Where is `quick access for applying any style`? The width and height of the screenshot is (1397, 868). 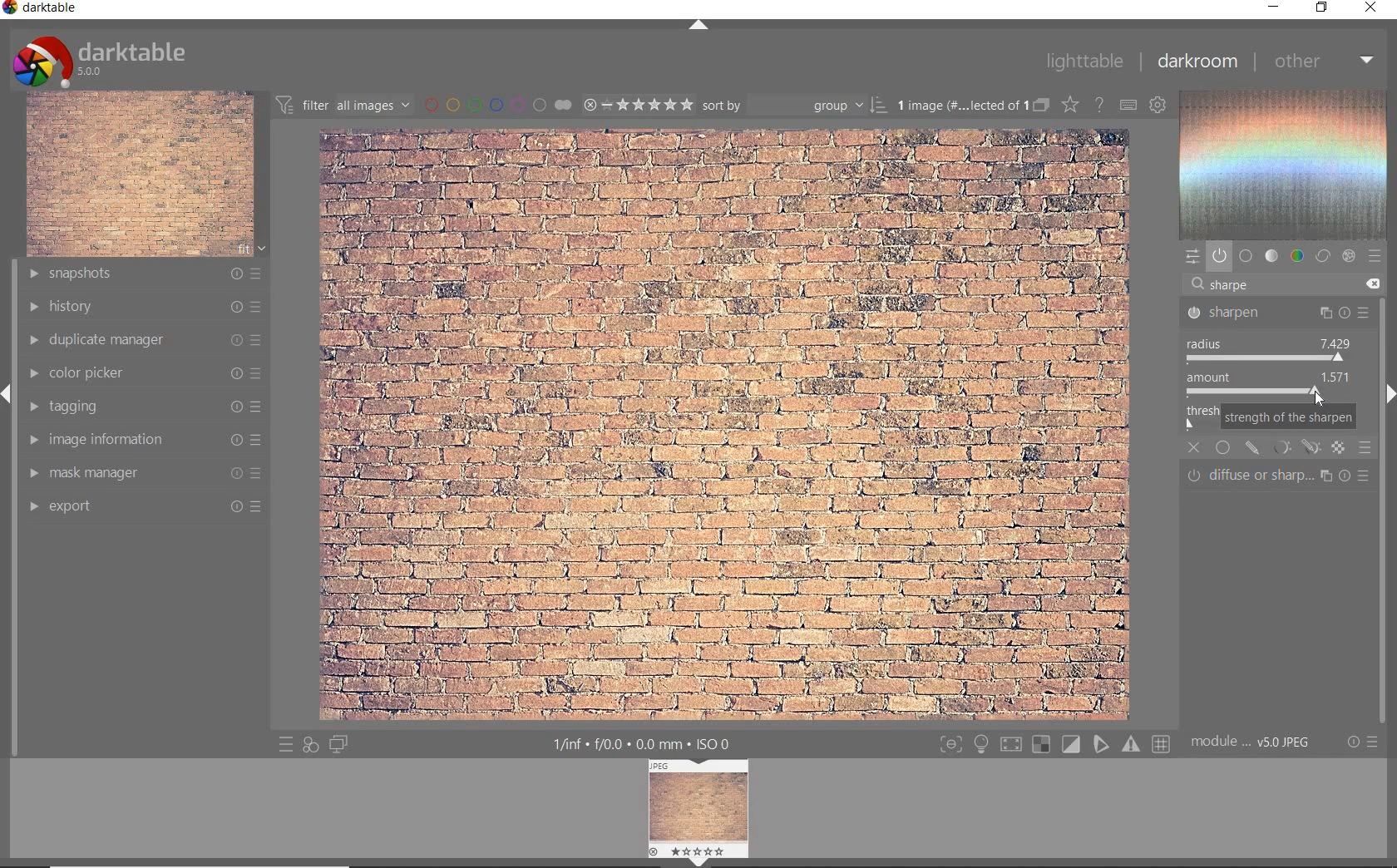
quick access for applying any style is located at coordinates (309, 747).